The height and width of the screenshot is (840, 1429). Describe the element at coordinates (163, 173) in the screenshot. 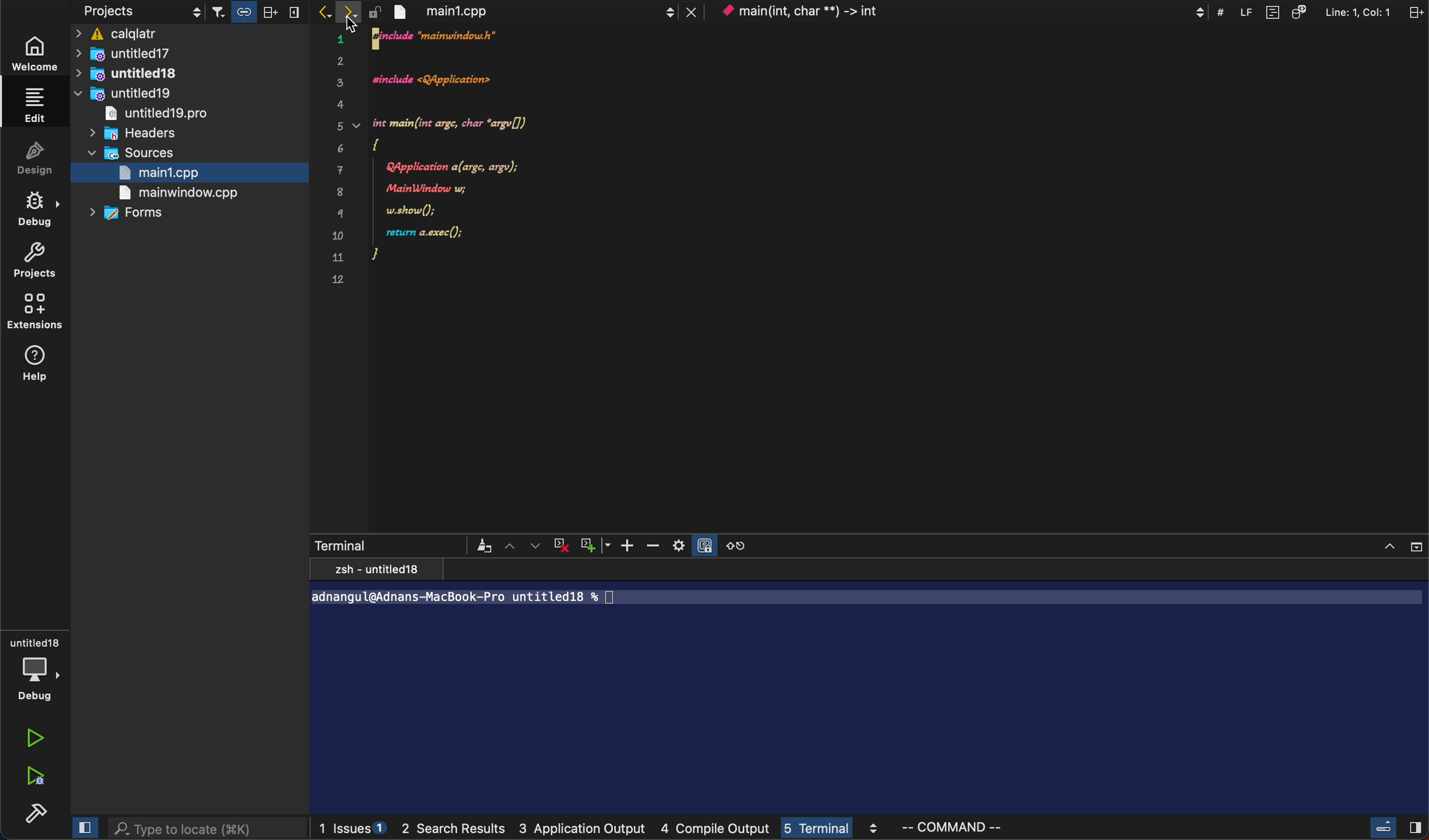

I see `main1.cpp` at that location.